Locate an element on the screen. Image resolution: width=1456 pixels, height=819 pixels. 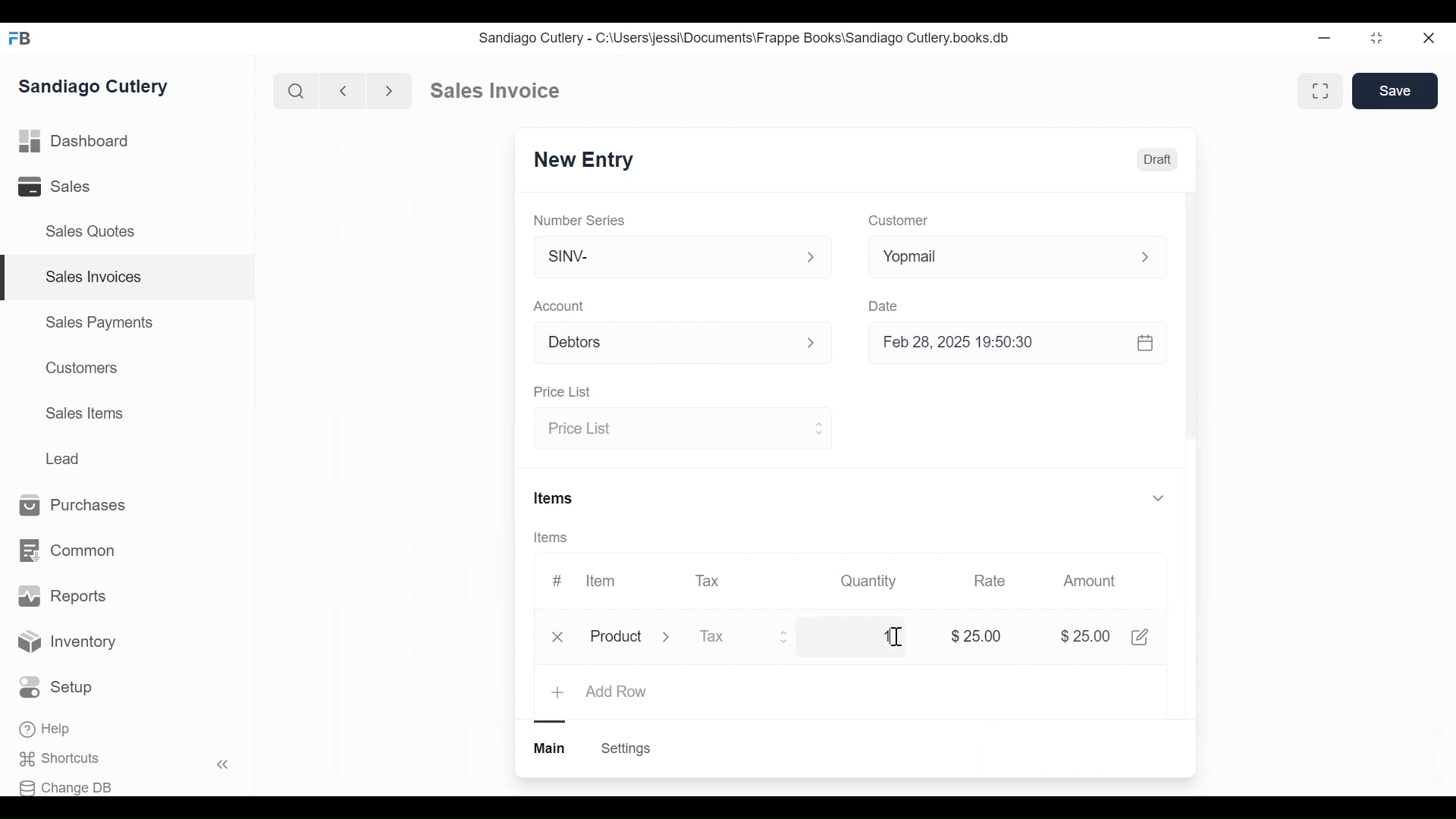
Tax is located at coordinates (708, 580).